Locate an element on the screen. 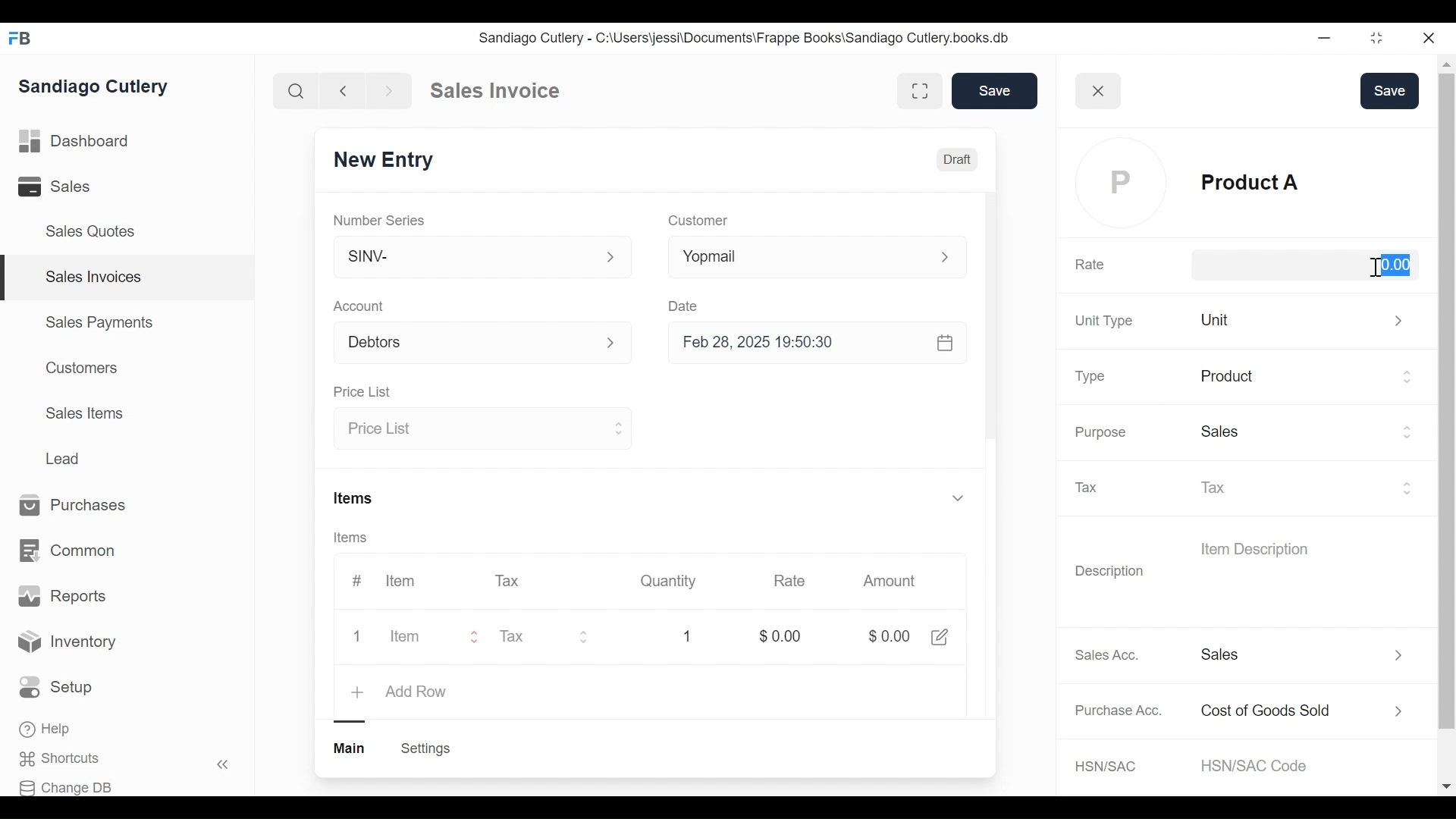  Number Series is located at coordinates (379, 218).